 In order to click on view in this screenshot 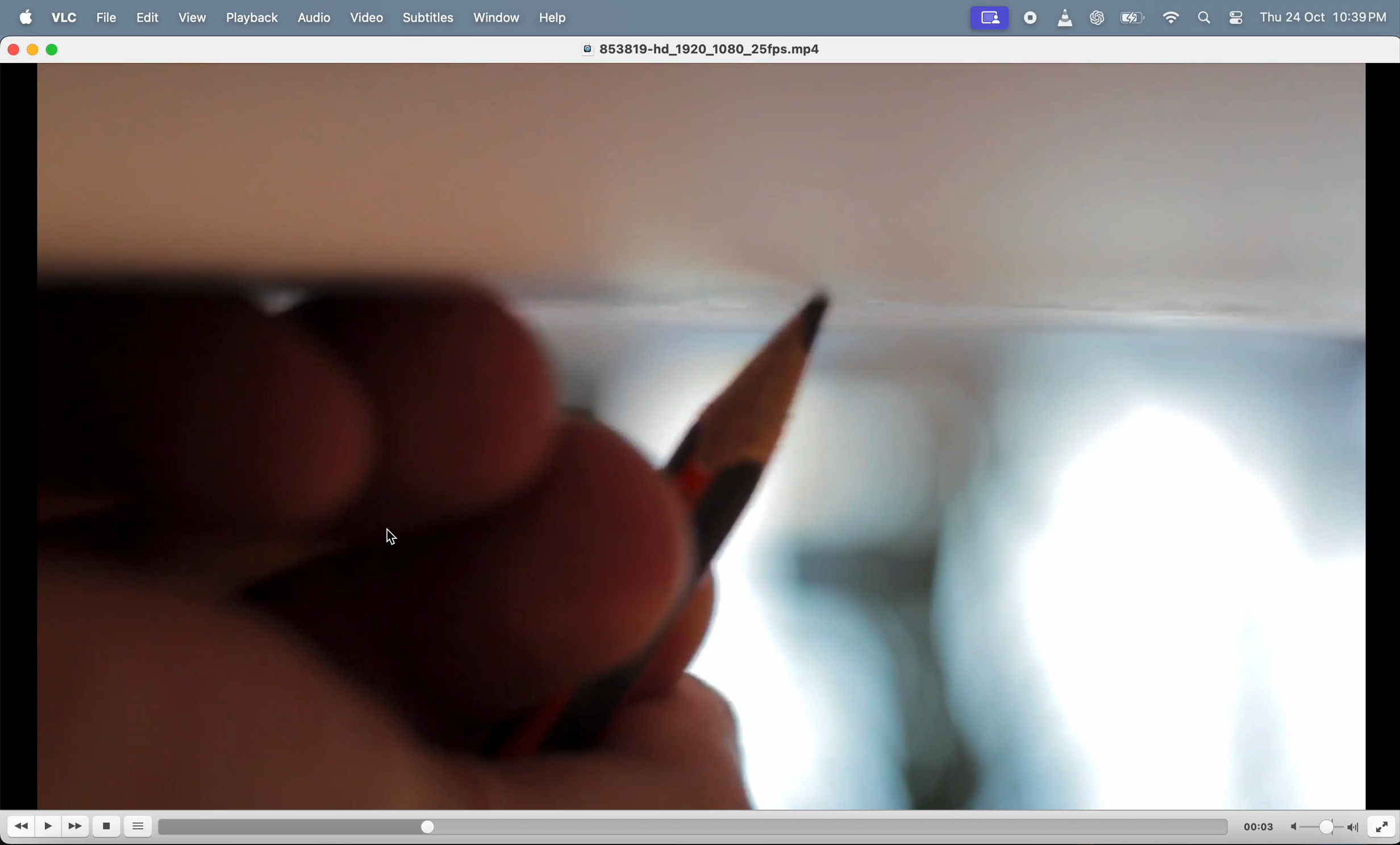, I will do `click(198, 18)`.